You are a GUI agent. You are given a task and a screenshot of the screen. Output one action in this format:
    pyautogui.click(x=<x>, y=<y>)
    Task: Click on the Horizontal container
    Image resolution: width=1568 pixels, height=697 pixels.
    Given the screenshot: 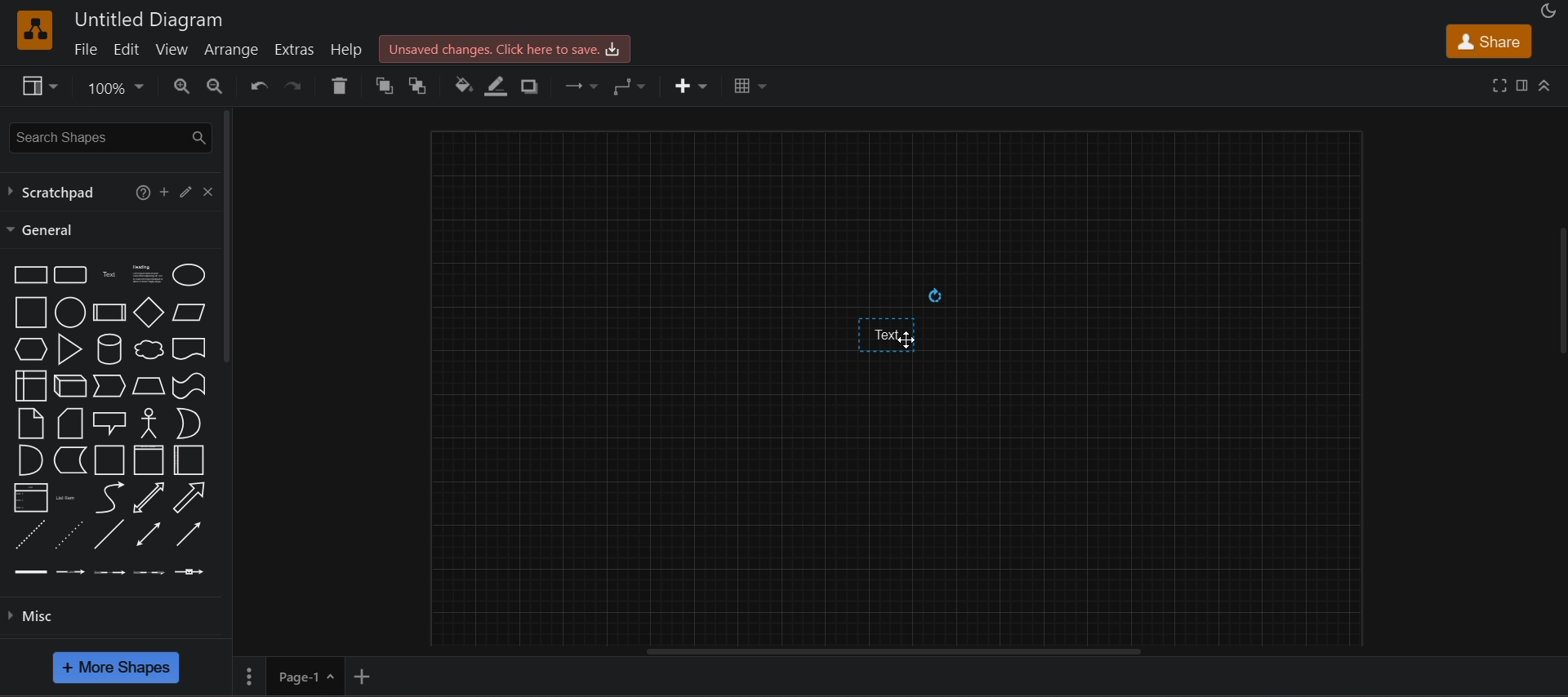 What is the action you would take?
    pyautogui.click(x=189, y=460)
    